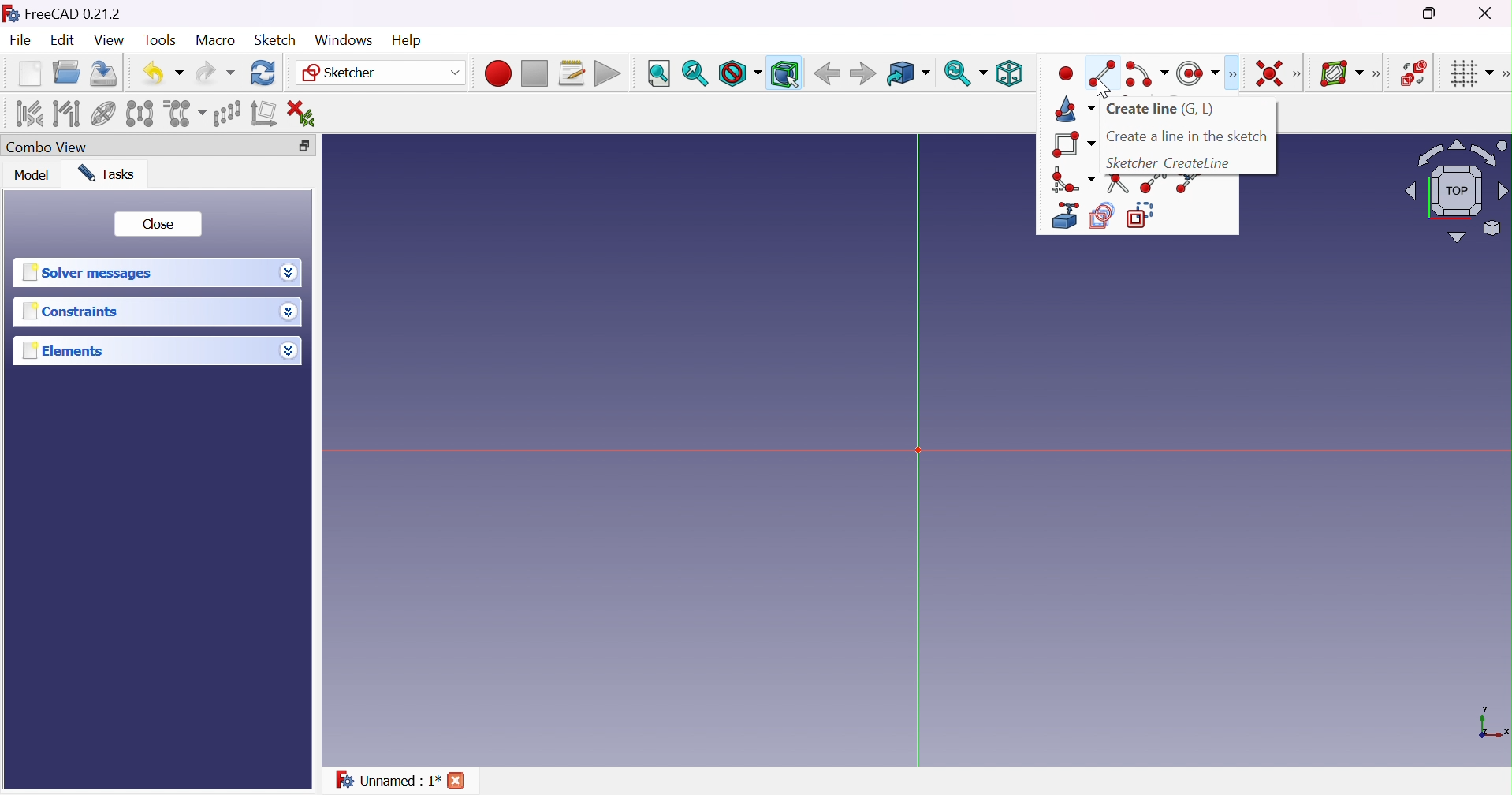 The image size is (1512, 795). Describe the element at coordinates (1415, 73) in the screenshot. I see `Switch virtual space` at that location.